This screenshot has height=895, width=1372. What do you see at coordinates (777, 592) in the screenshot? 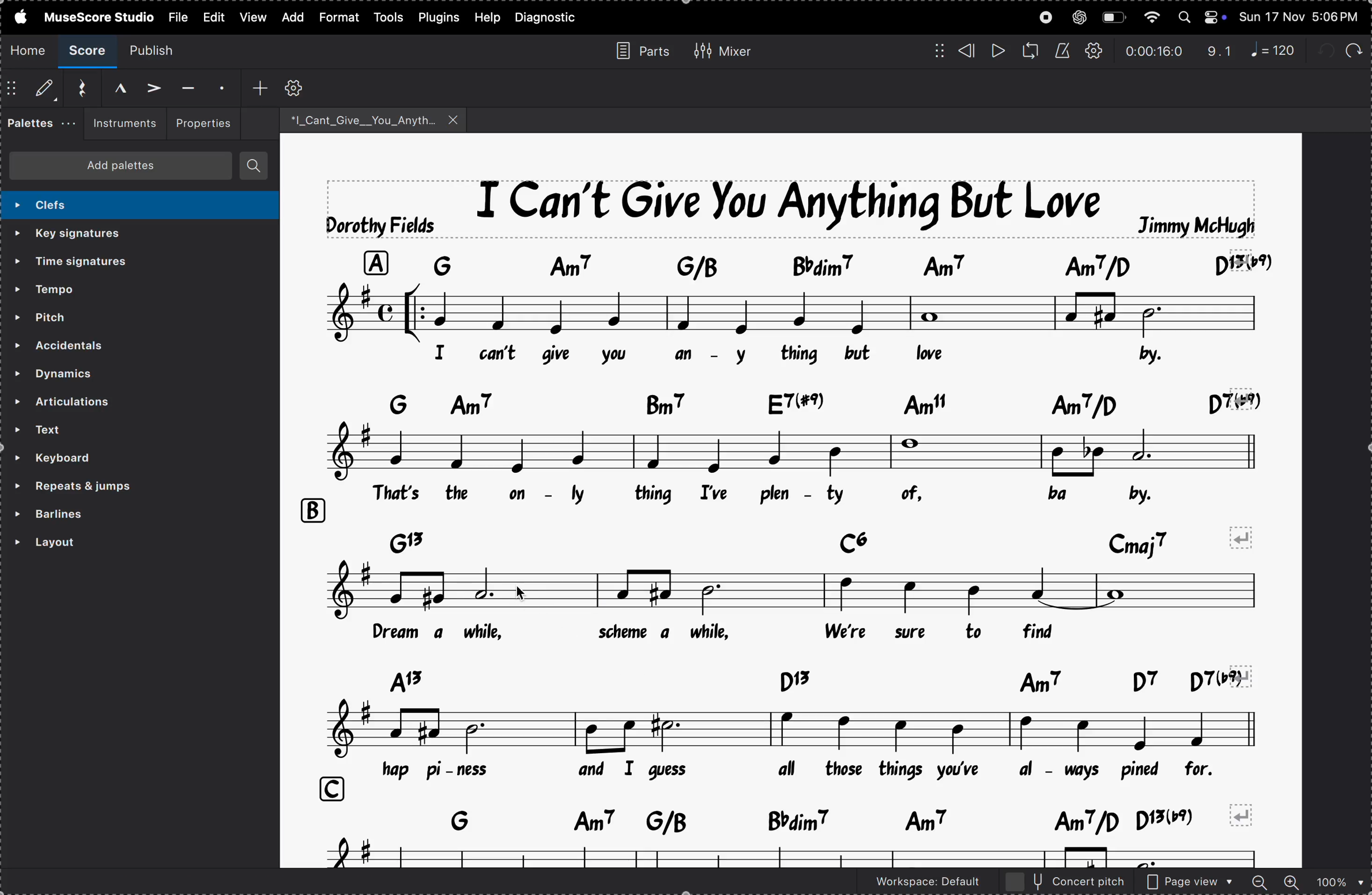
I see `notes` at bounding box center [777, 592].